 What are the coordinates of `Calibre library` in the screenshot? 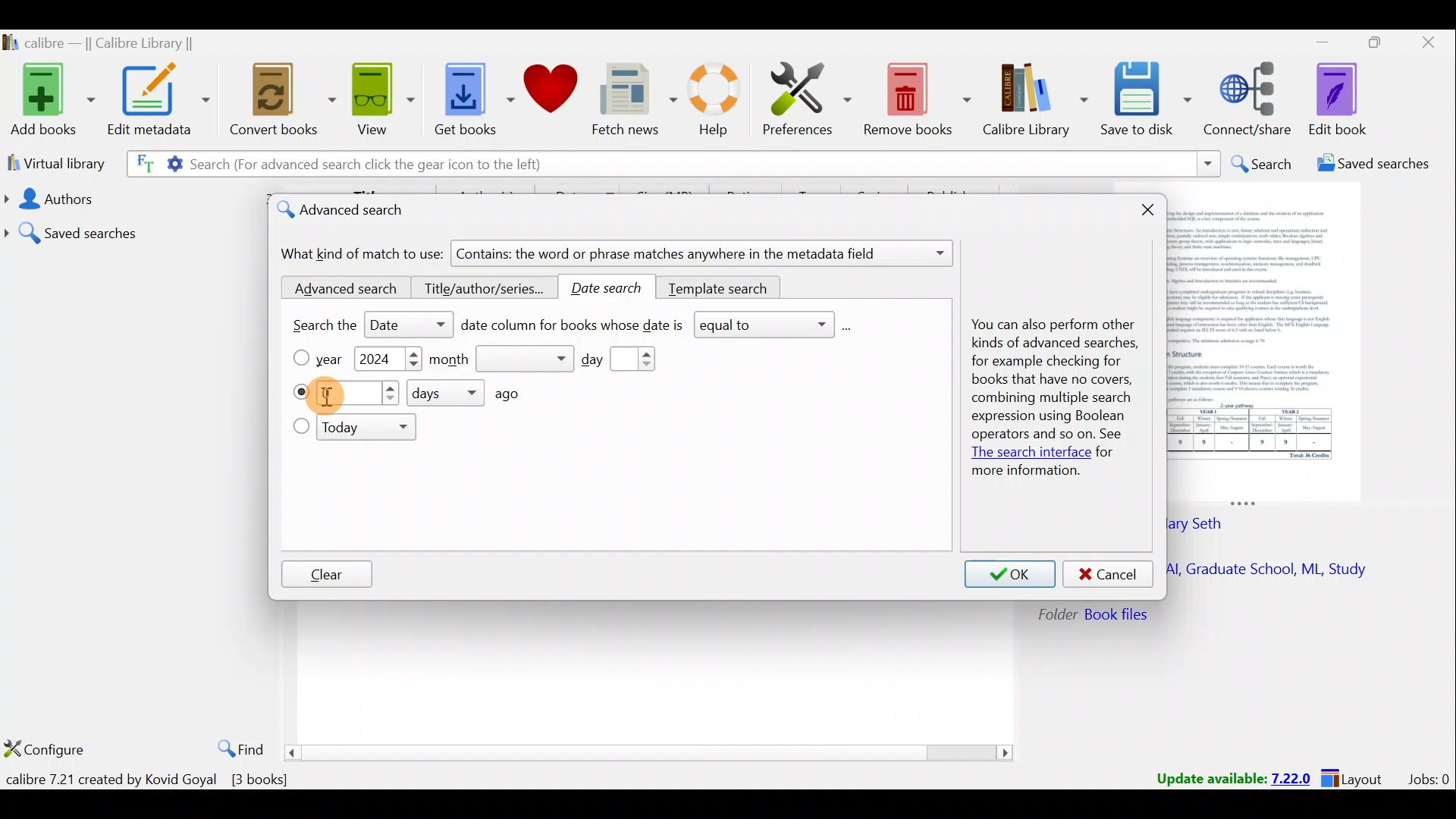 It's located at (1037, 101).